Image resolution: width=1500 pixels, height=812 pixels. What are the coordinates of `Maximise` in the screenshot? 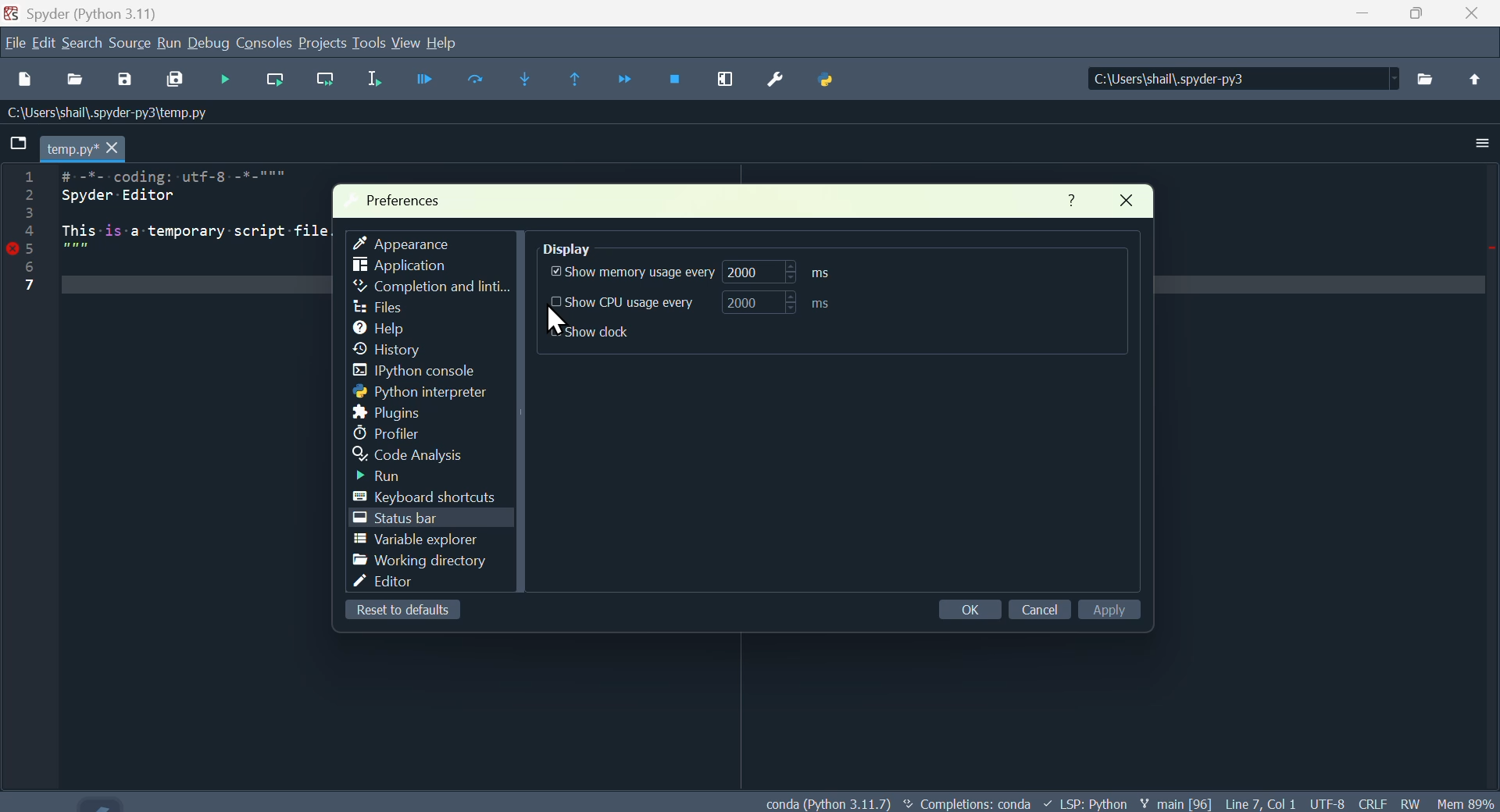 It's located at (1426, 14).